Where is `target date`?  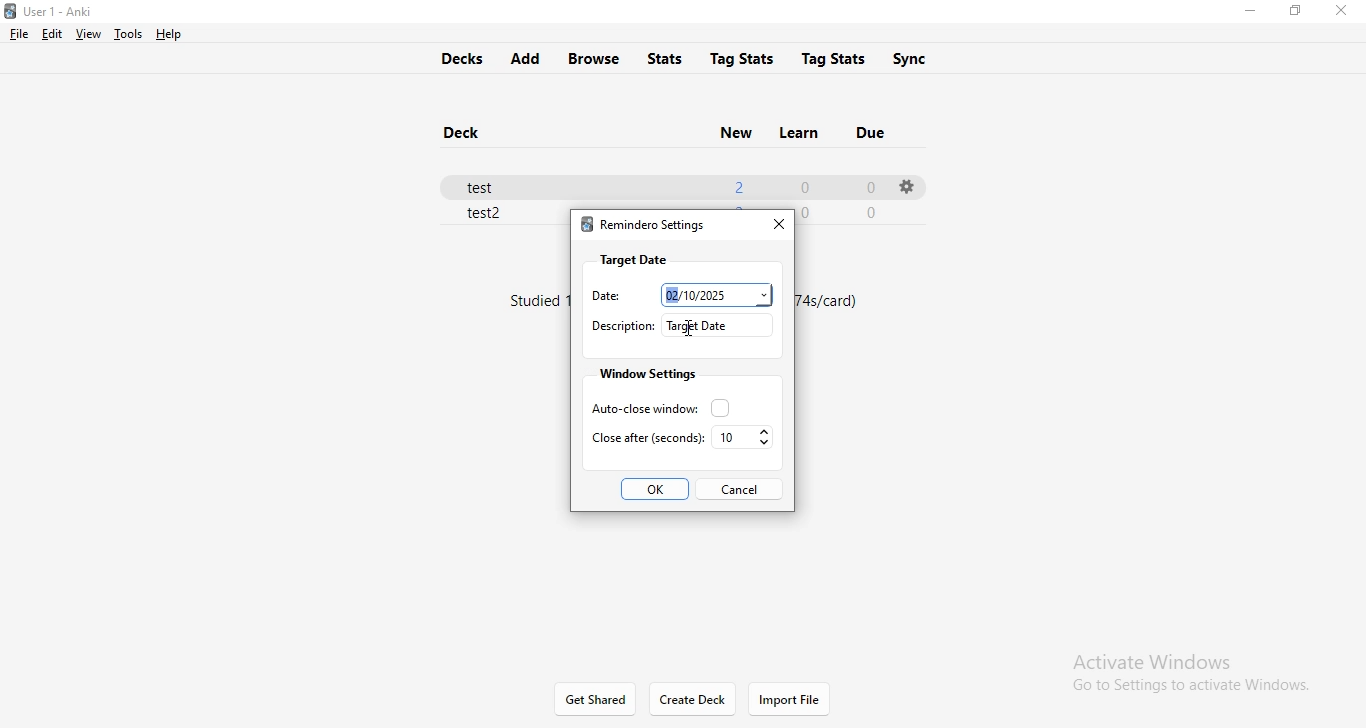 target date is located at coordinates (720, 325).